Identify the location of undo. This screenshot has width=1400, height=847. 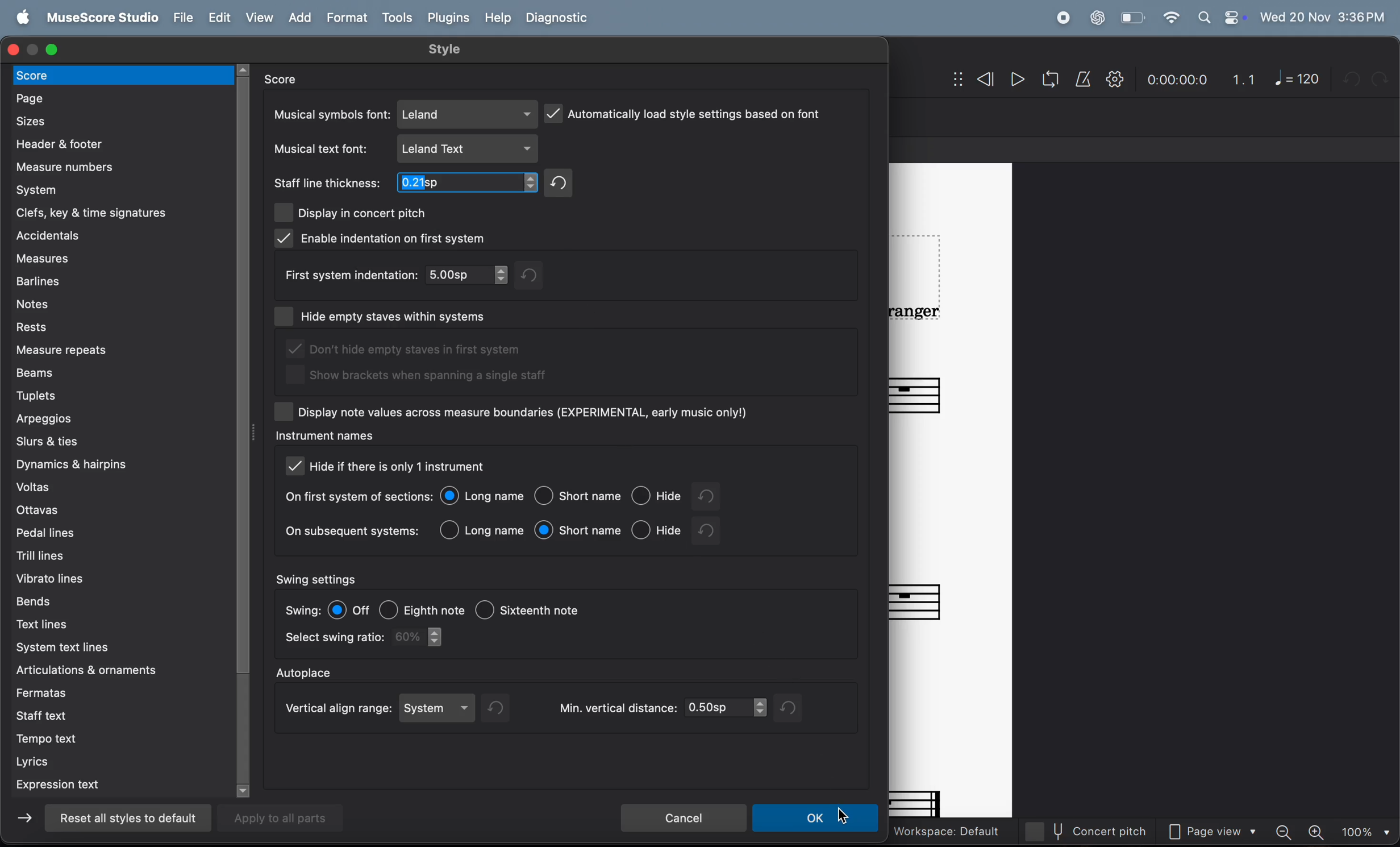
(710, 531).